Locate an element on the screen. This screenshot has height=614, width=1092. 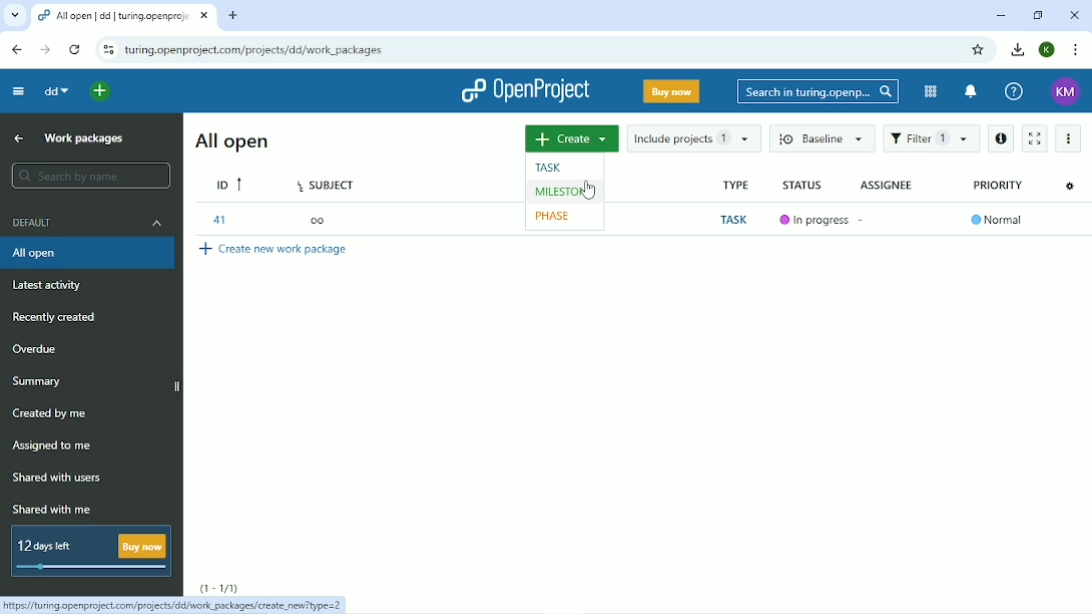
Forward is located at coordinates (45, 50).